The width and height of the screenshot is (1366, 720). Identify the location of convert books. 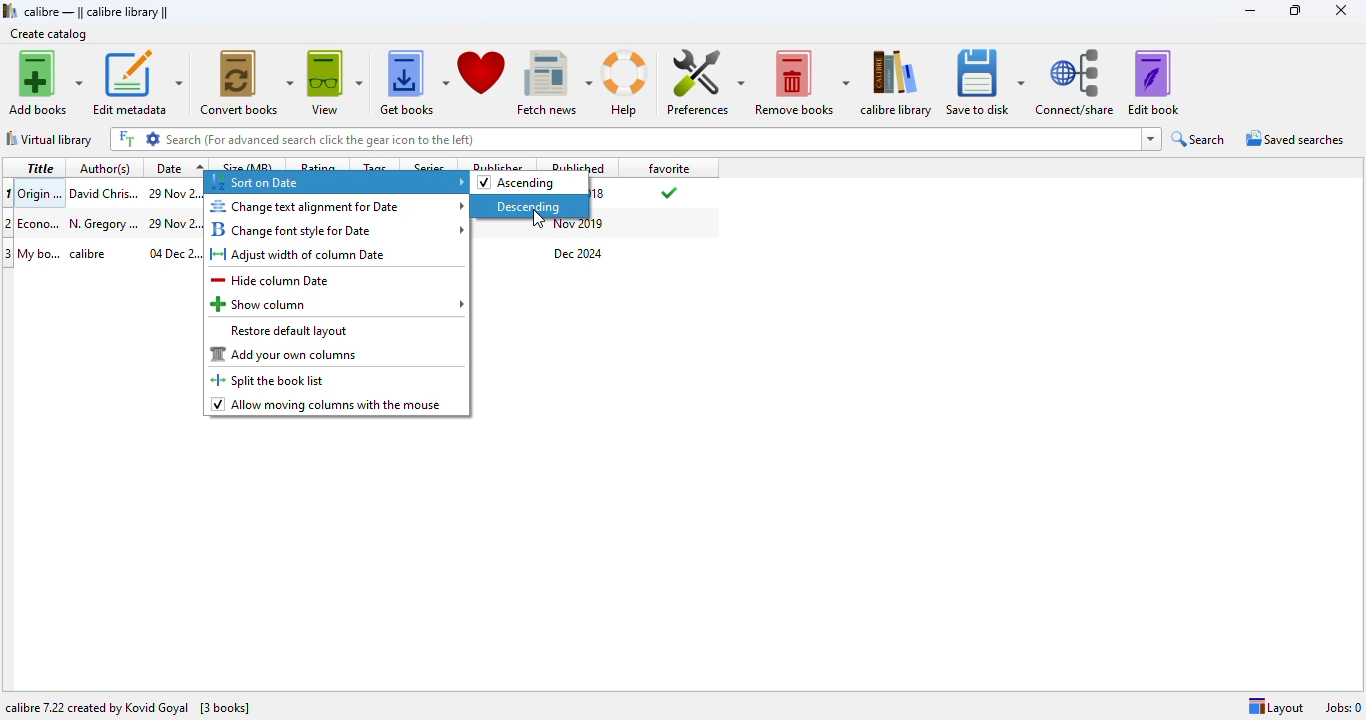
(247, 83).